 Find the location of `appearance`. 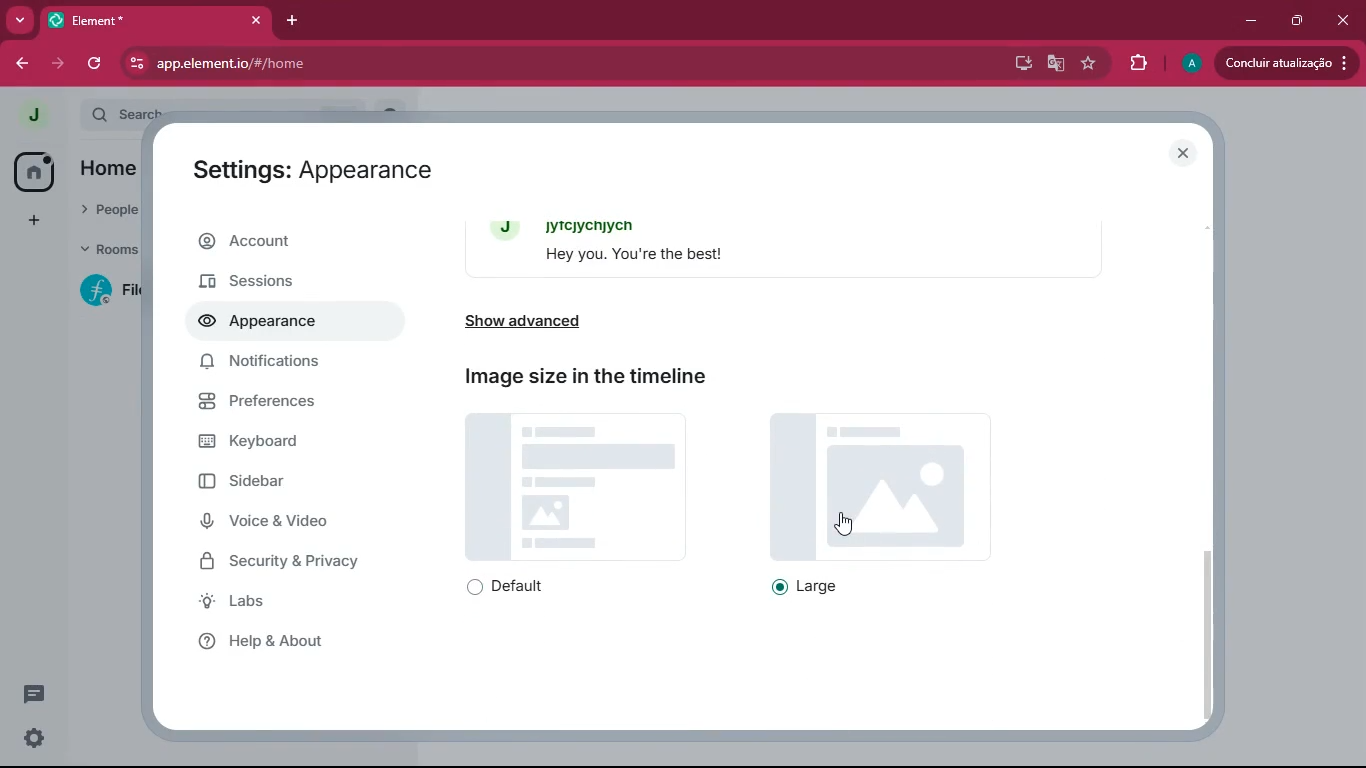

appearance is located at coordinates (266, 324).